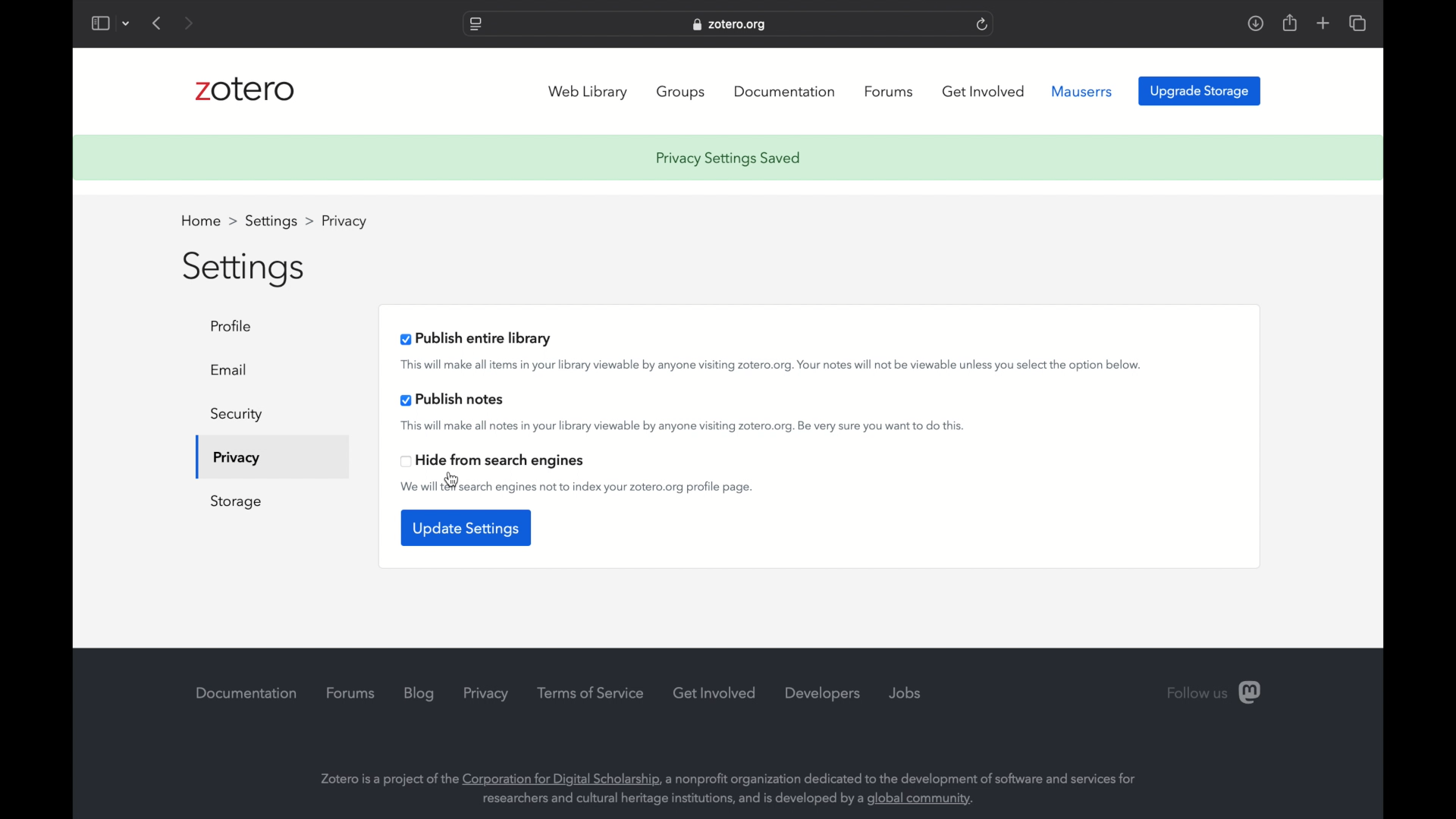 Image resolution: width=1456 pixels, height=819 pixels. I want to click on privacy settings saved, so click(730, 160).